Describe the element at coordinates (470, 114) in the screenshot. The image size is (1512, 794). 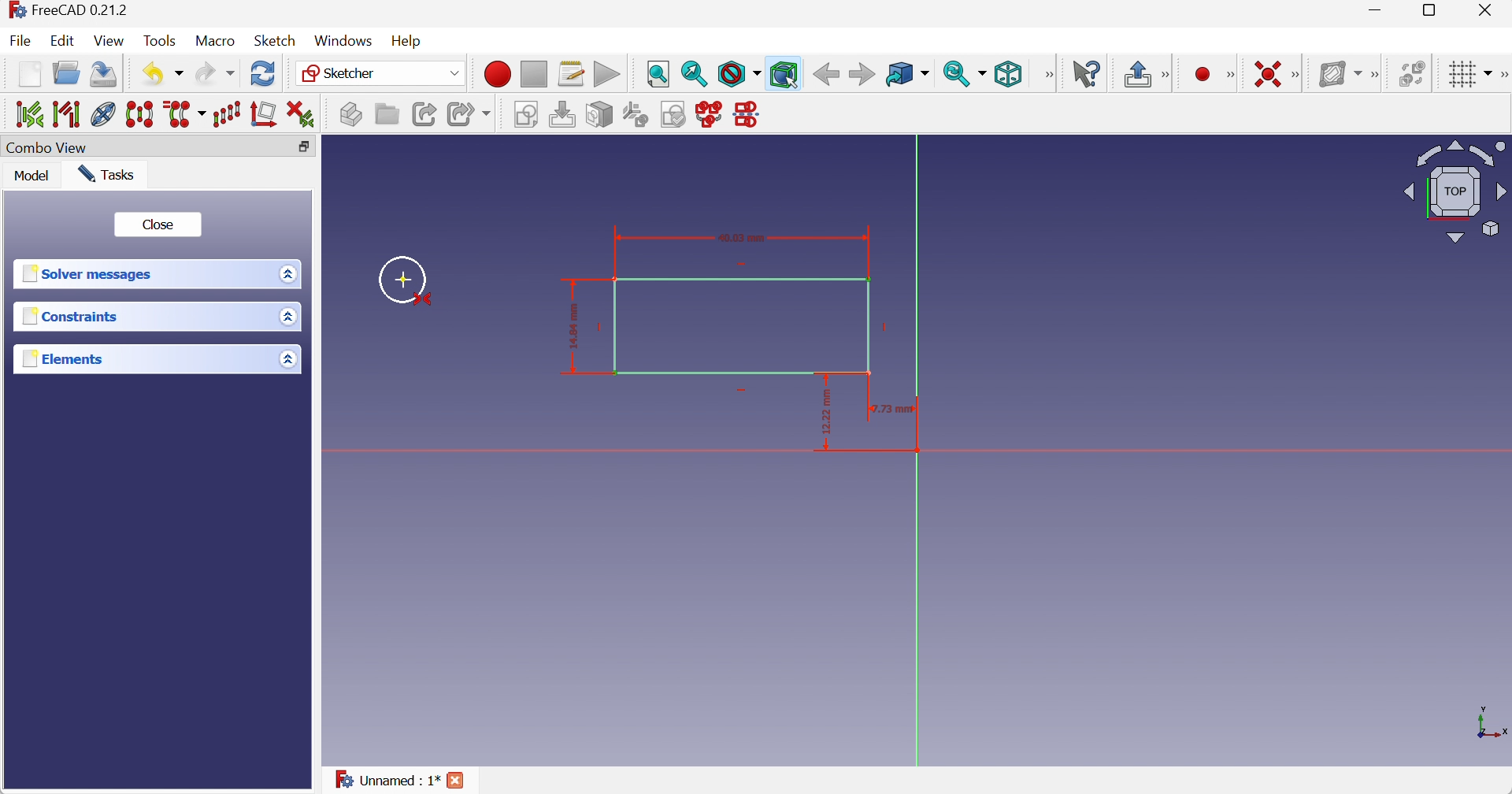
I see `Make sub-link` at that location.